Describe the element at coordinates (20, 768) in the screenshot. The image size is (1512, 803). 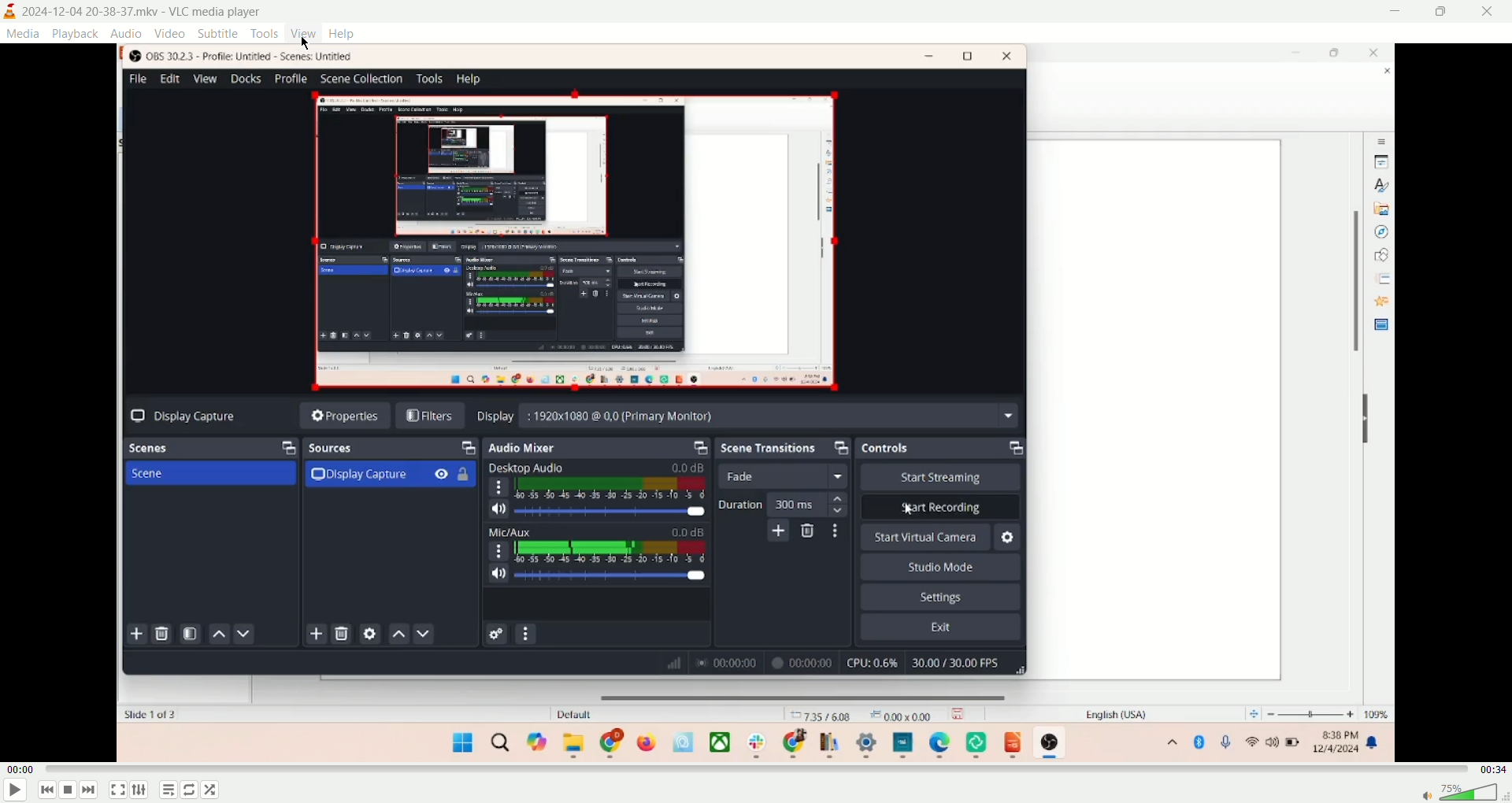
I see `played time` at that location.